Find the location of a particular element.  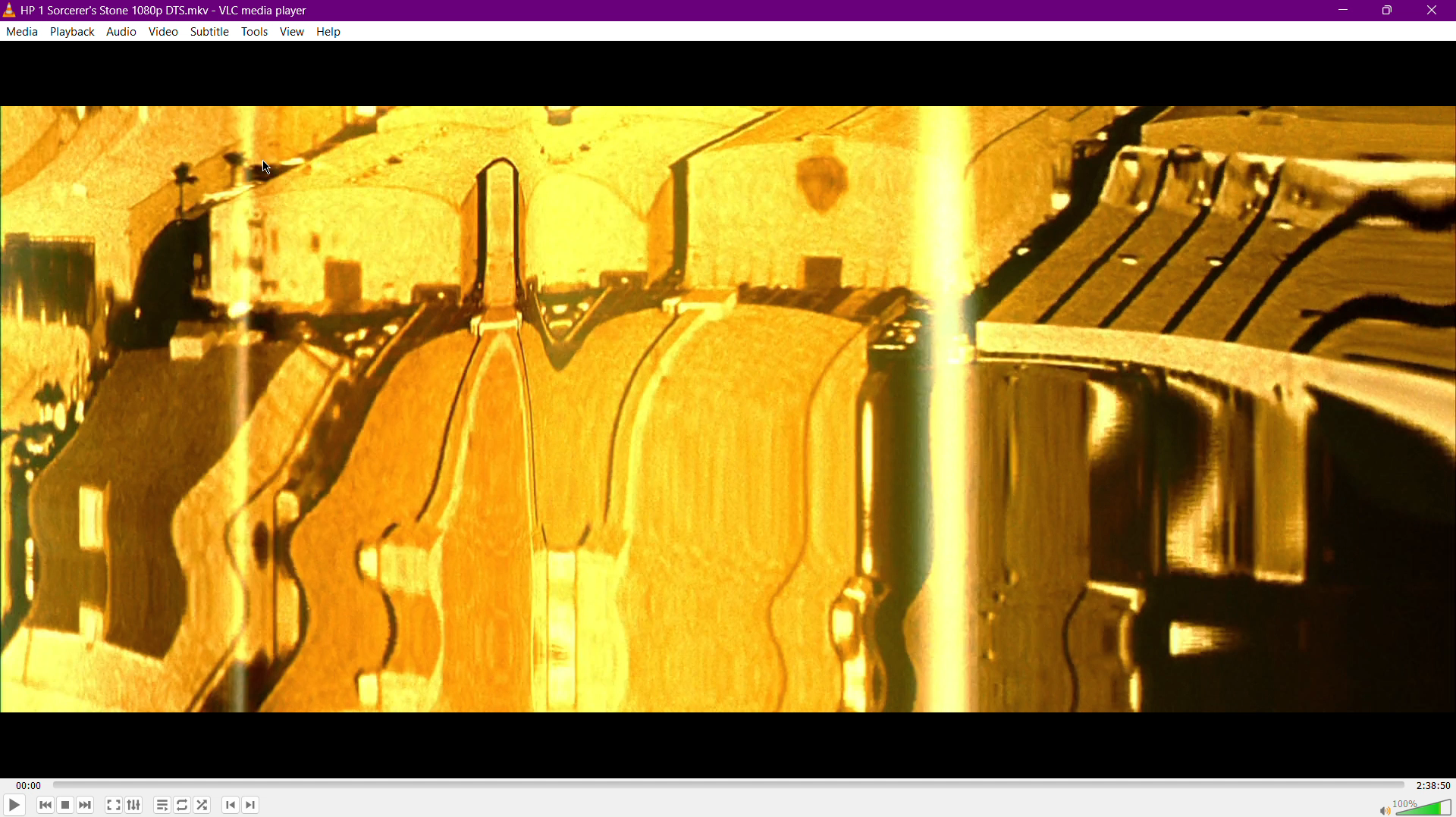

Tools is located at coordinates (255, 30).